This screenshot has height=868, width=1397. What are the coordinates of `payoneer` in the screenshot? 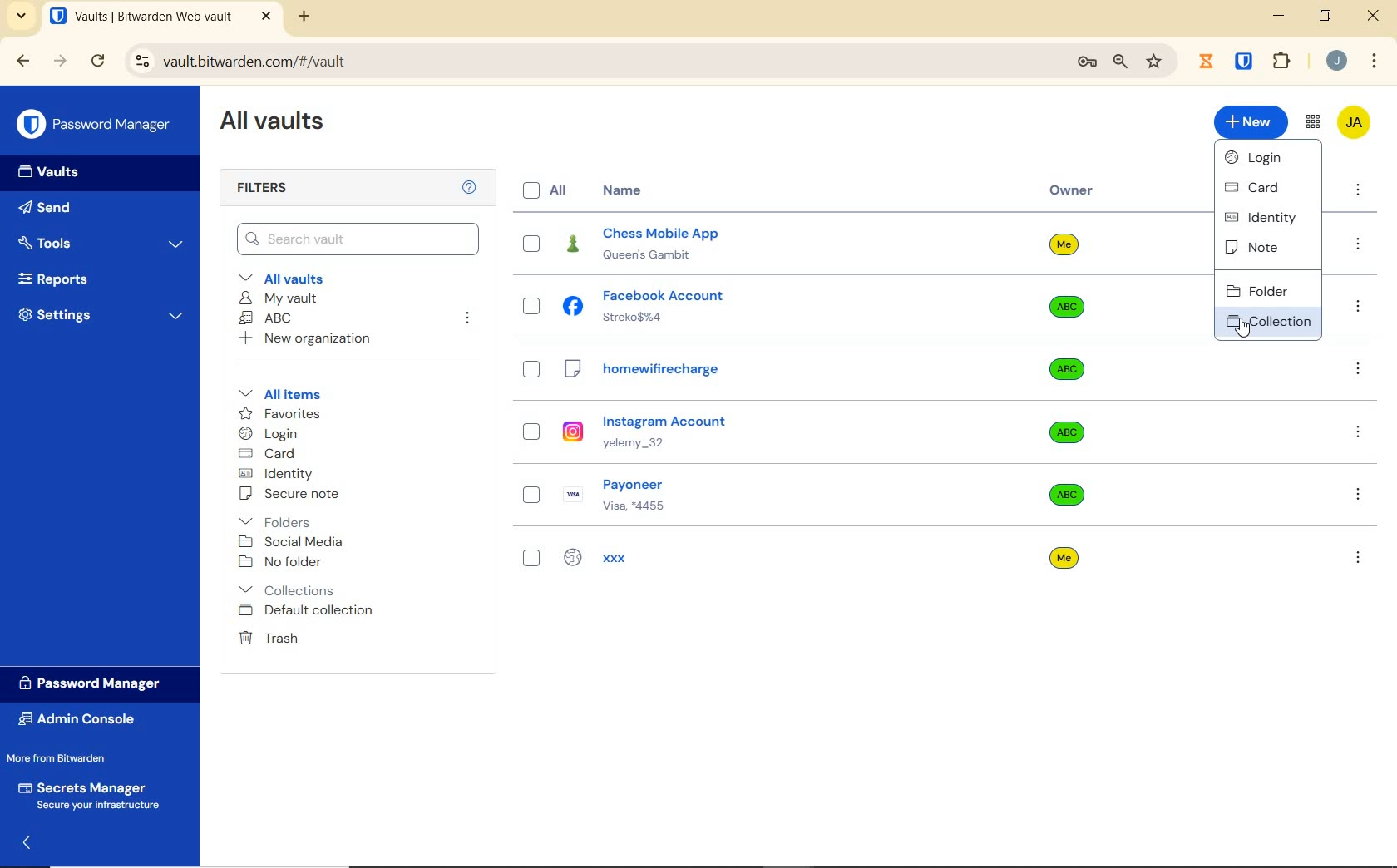 It's located at (763, 496).